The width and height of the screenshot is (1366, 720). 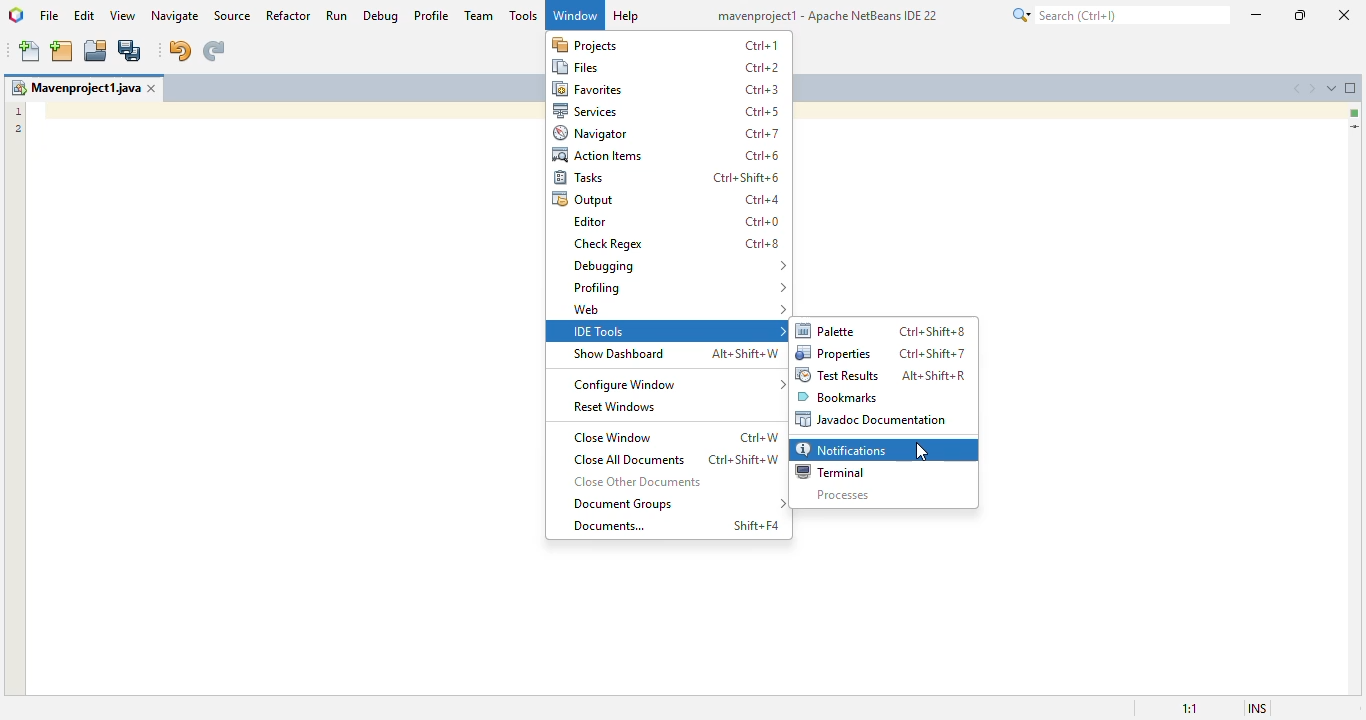 I want to click on save all, so click(x=130, y=52).